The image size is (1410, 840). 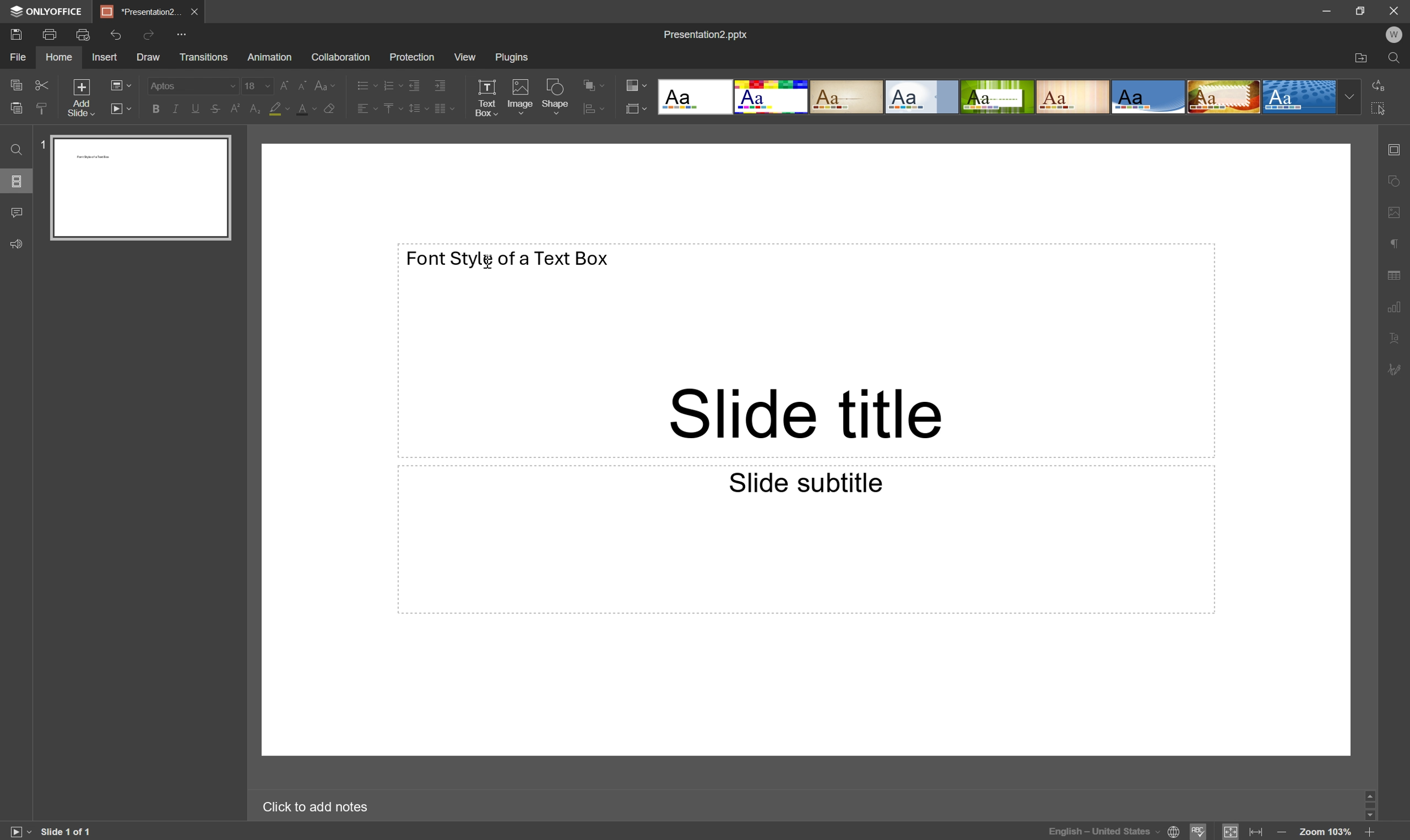 I want to click on English - United States, so click(x=1097, y=832).